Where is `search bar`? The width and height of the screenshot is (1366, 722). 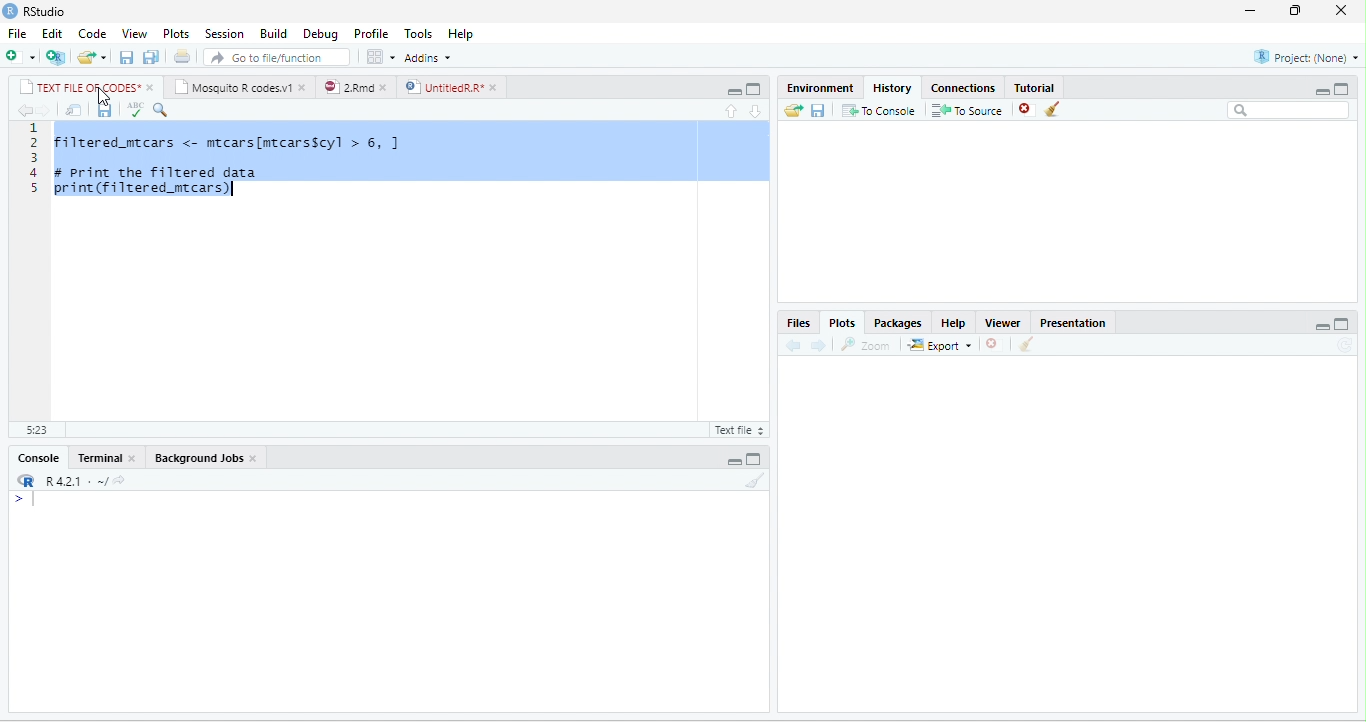
search bar is located at coordinates (1288, 110).